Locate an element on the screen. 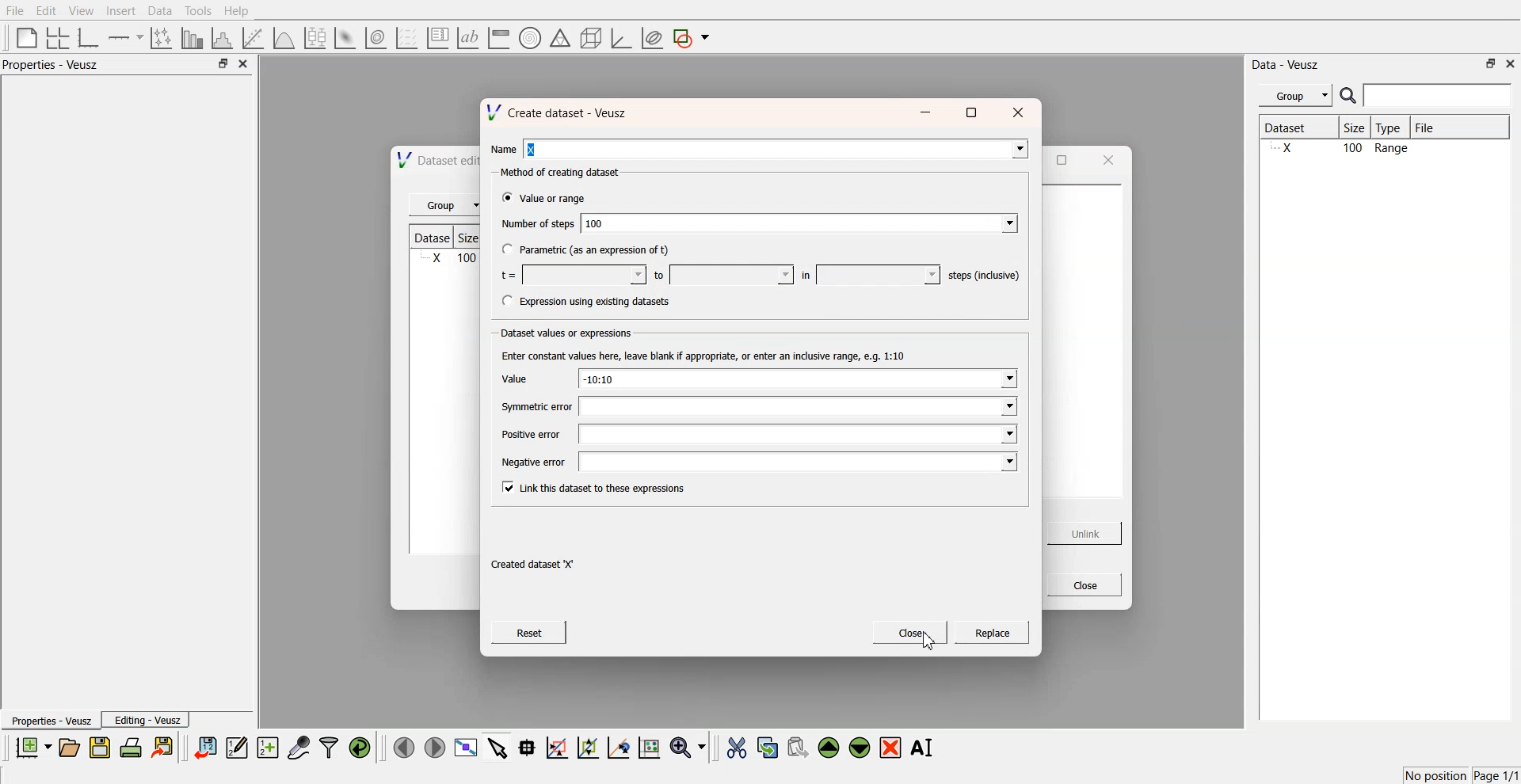 Image resolution: width=1521 pixels, height=784 pixels. Expression using existing datasets is located at coordinates (597, 302).